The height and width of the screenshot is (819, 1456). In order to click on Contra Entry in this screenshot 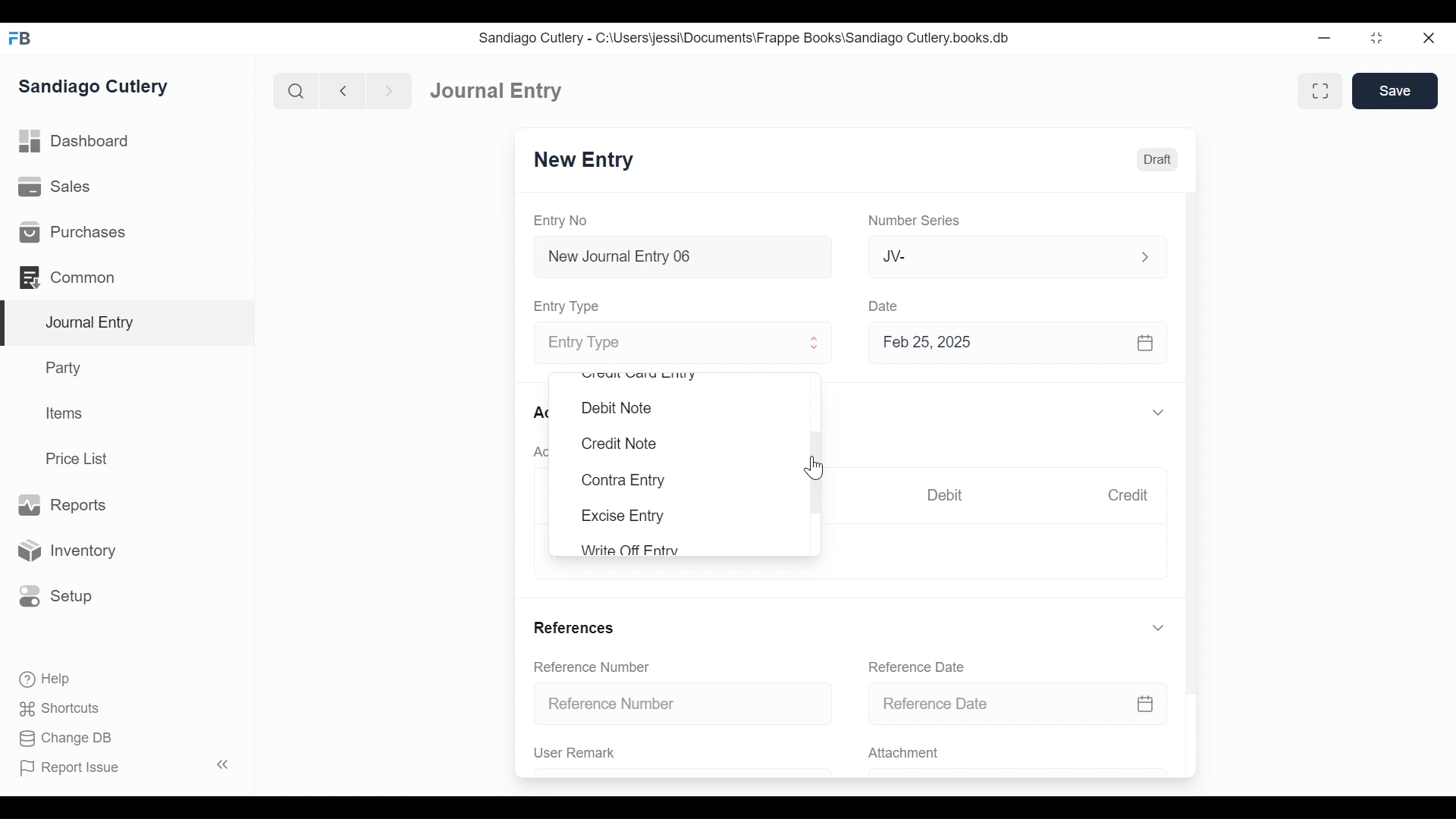, I will do `click(622, 481)`.